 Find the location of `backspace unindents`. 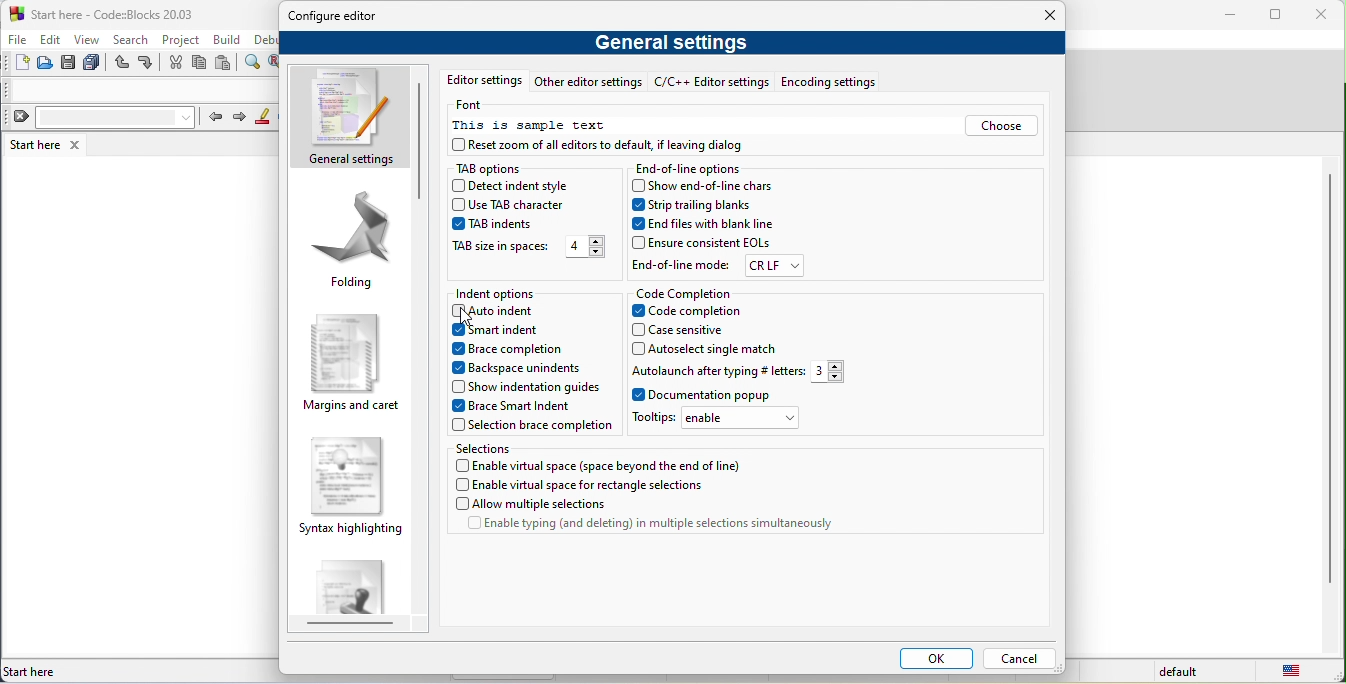

backspace unindents is located at coordinates (517, 367).